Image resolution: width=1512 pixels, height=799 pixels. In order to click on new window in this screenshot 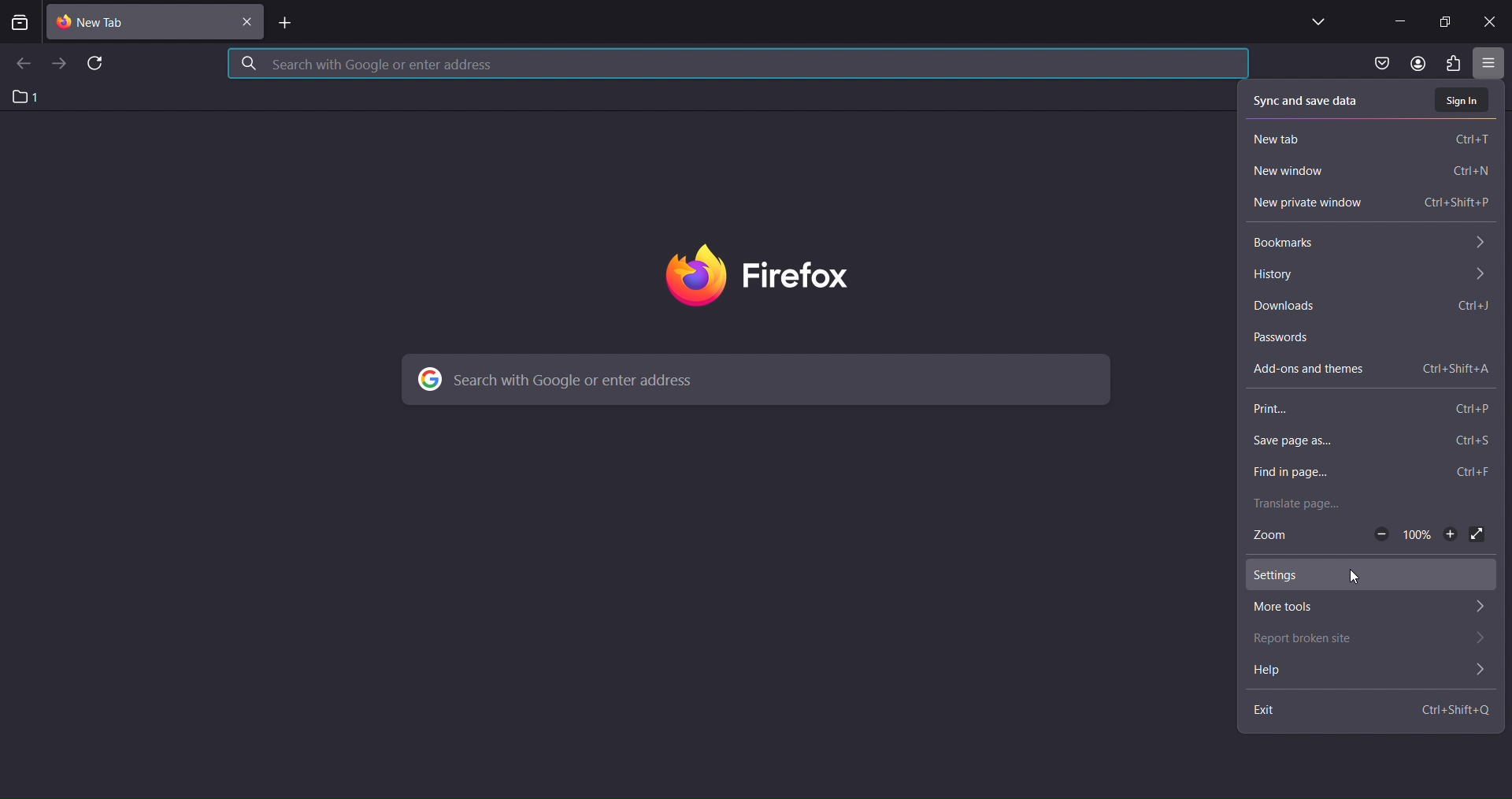, I will do `click(1369, 169)`.